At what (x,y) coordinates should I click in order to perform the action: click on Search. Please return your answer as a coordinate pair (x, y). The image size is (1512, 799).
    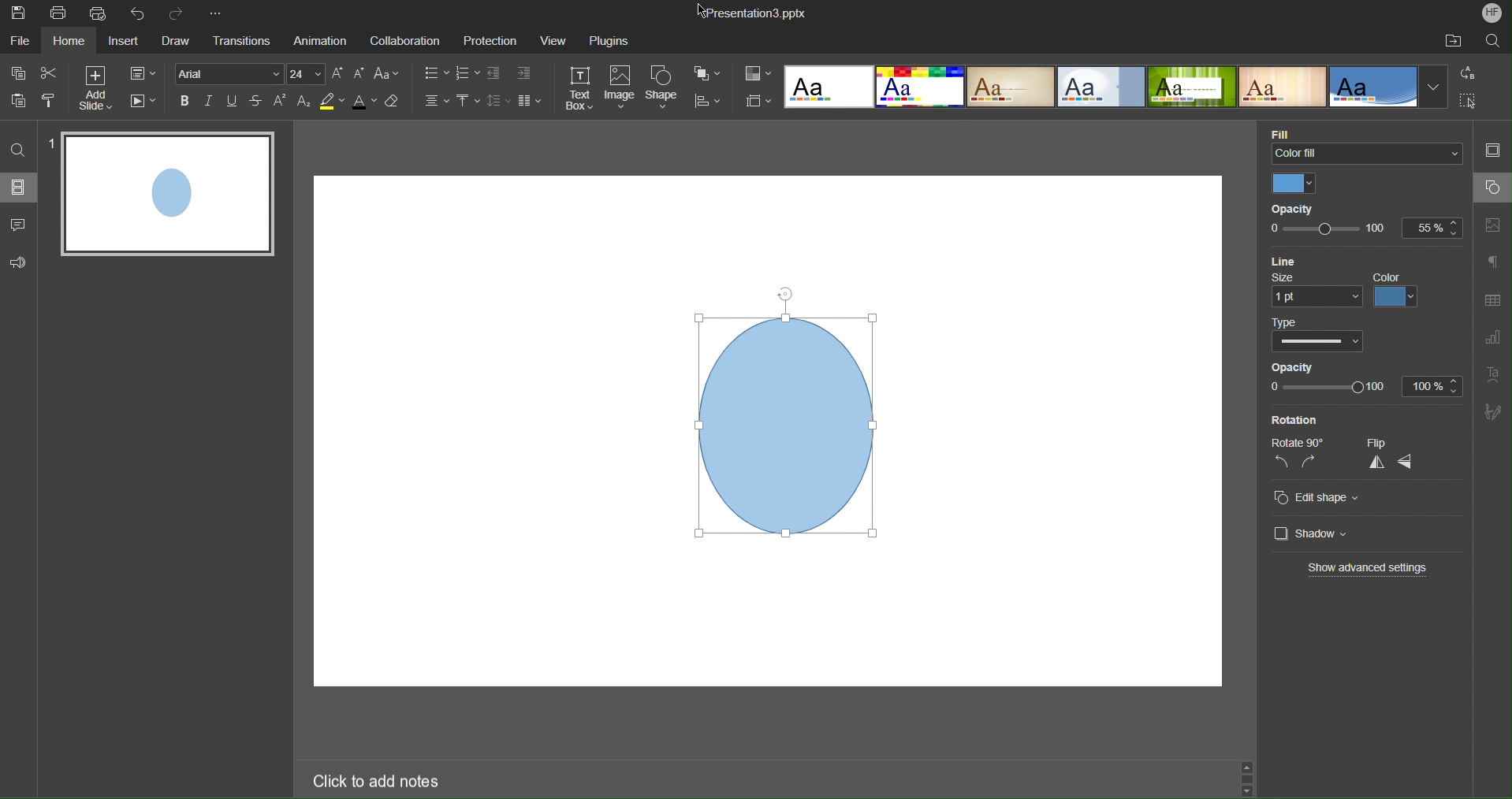
    Looking at the image, I should click on (1493, 43).